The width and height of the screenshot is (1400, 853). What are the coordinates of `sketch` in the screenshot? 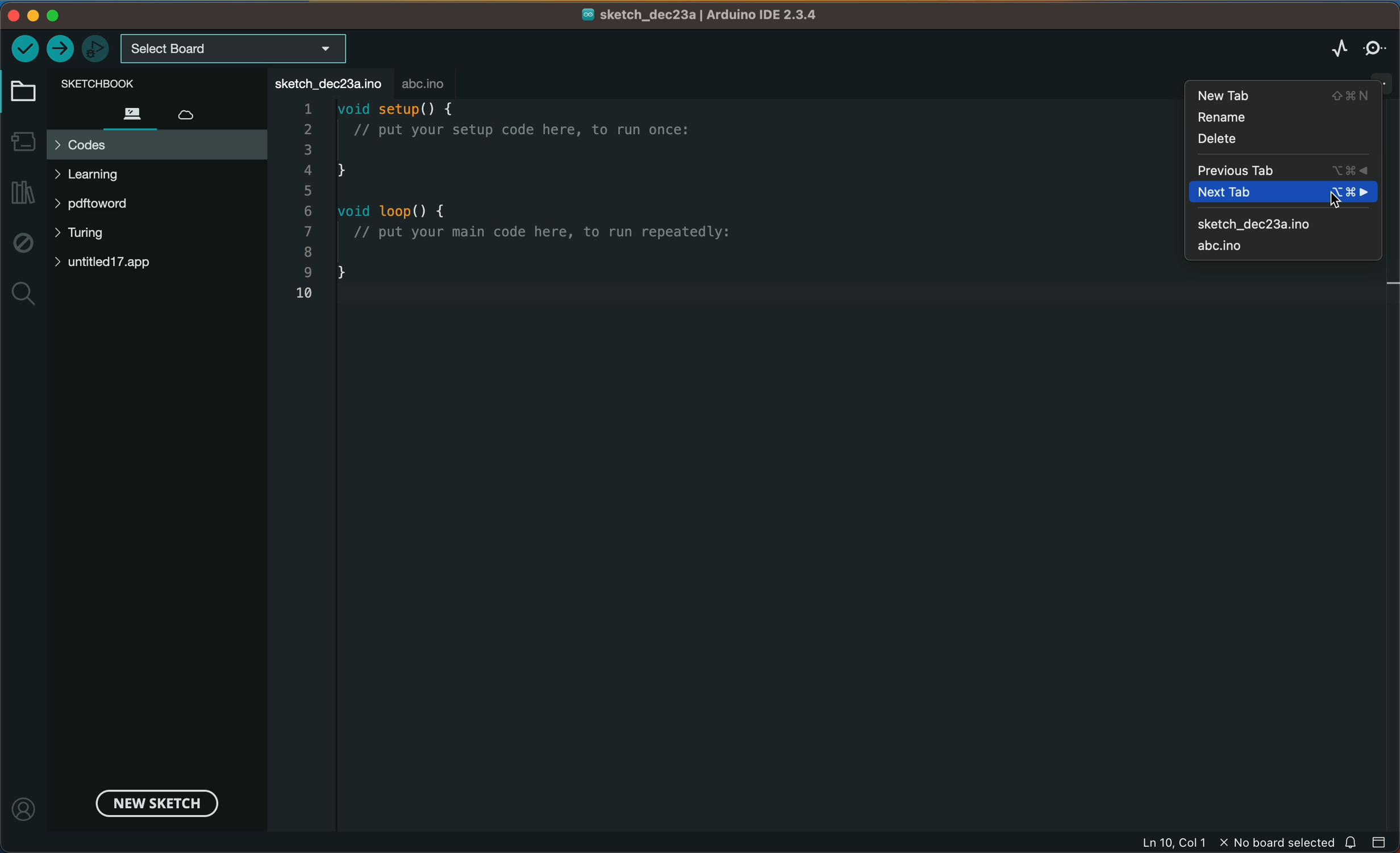 It's located at (1286, 222).